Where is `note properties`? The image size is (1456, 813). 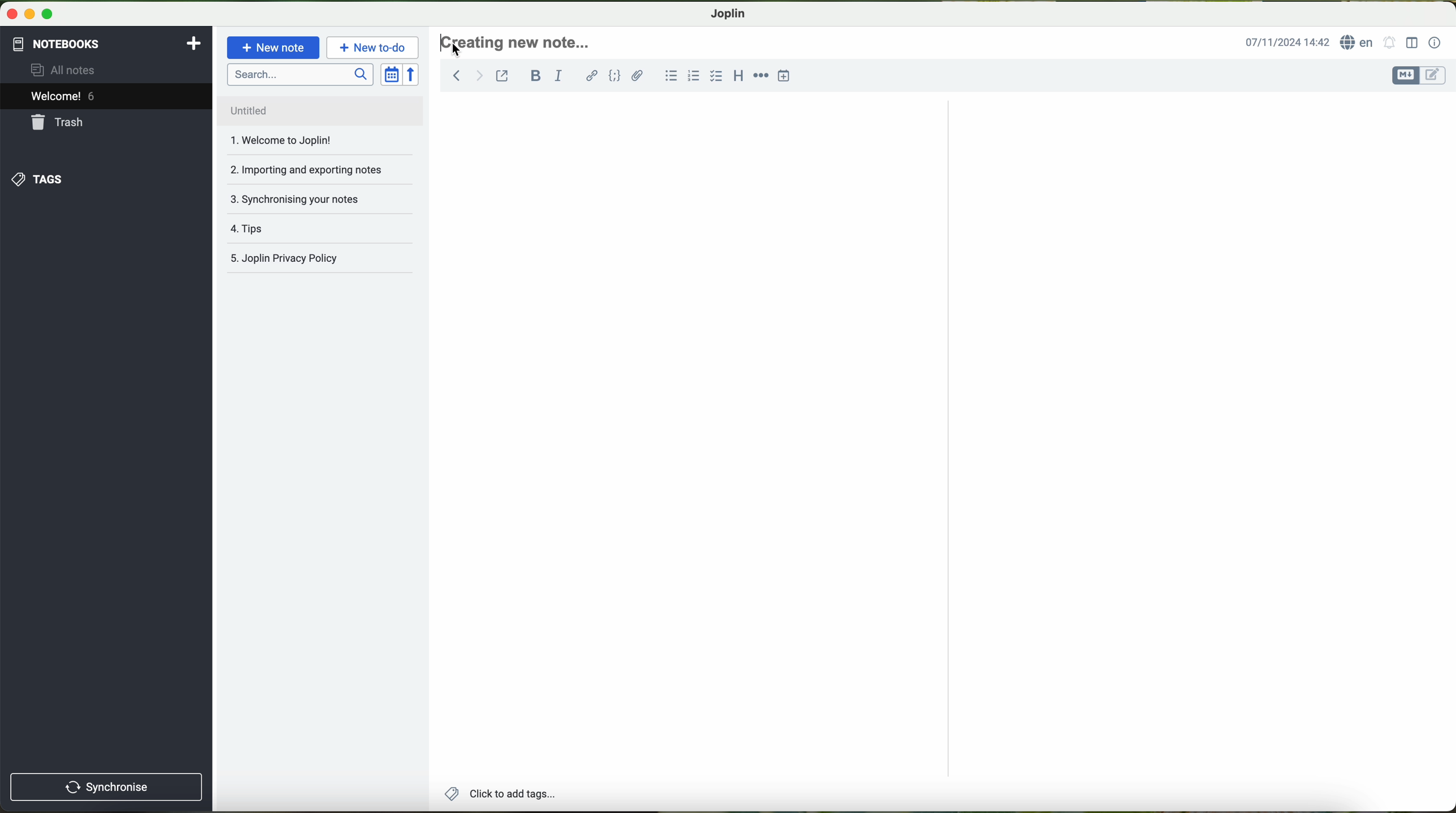
note properties is located at coordinates (1436, 42).